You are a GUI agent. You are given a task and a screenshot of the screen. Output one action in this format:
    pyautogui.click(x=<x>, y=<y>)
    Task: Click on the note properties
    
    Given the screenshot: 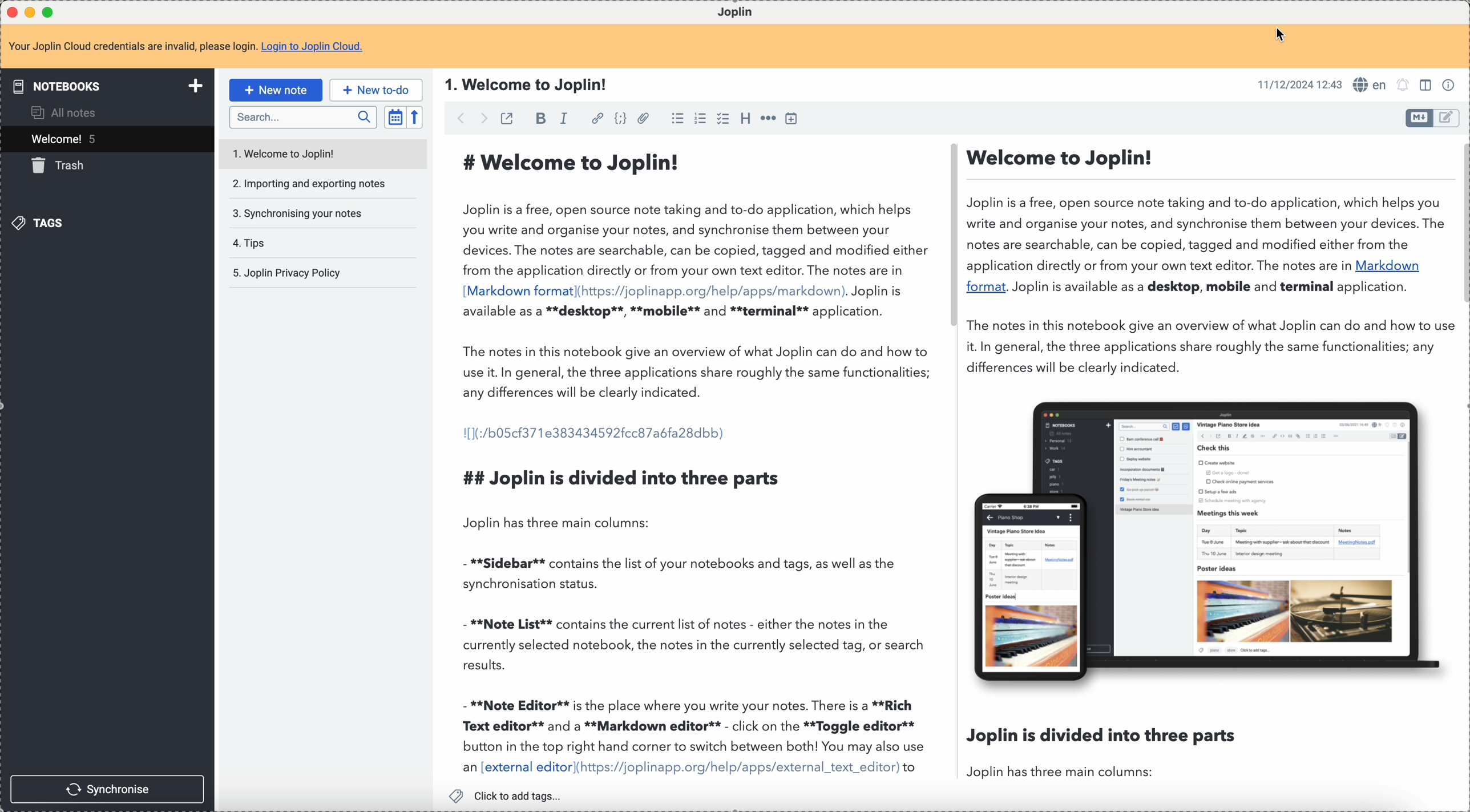 What is the action you would take?
    pyautogui.click(x=1449, y=85)
    